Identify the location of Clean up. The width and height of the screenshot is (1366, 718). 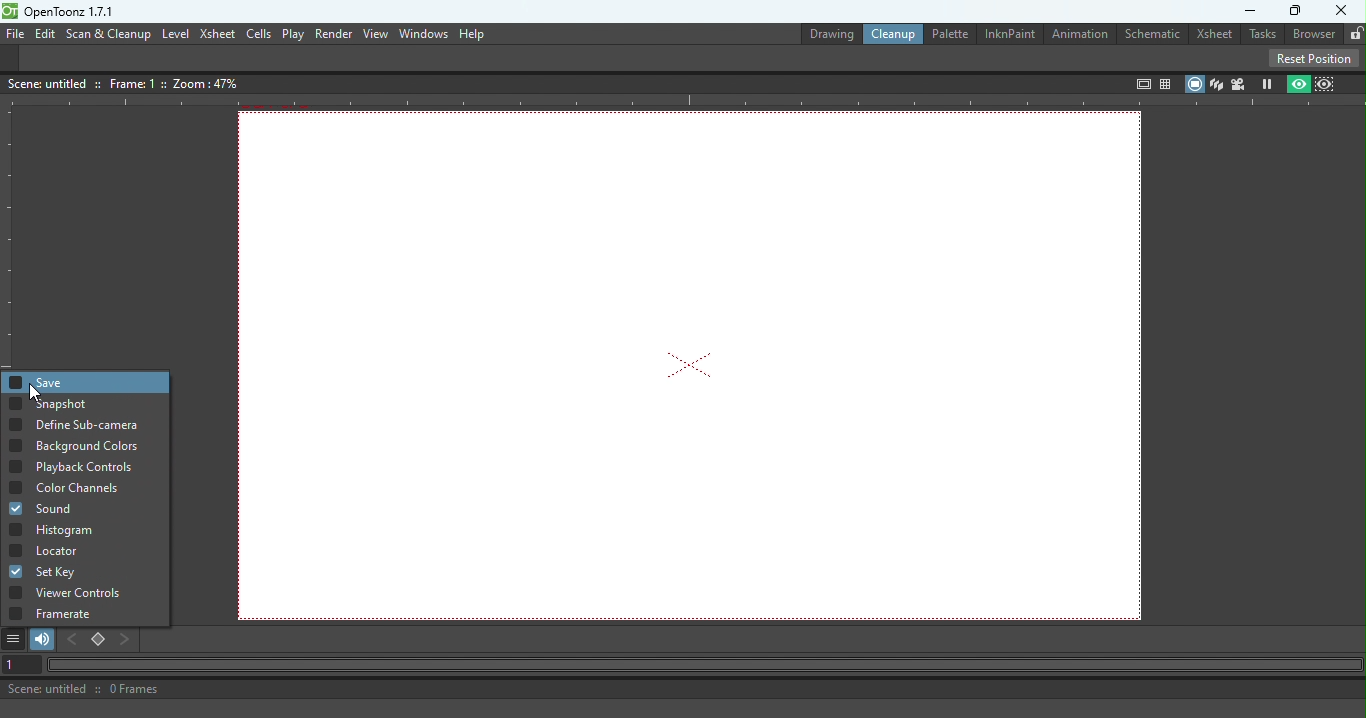
(890, 34).